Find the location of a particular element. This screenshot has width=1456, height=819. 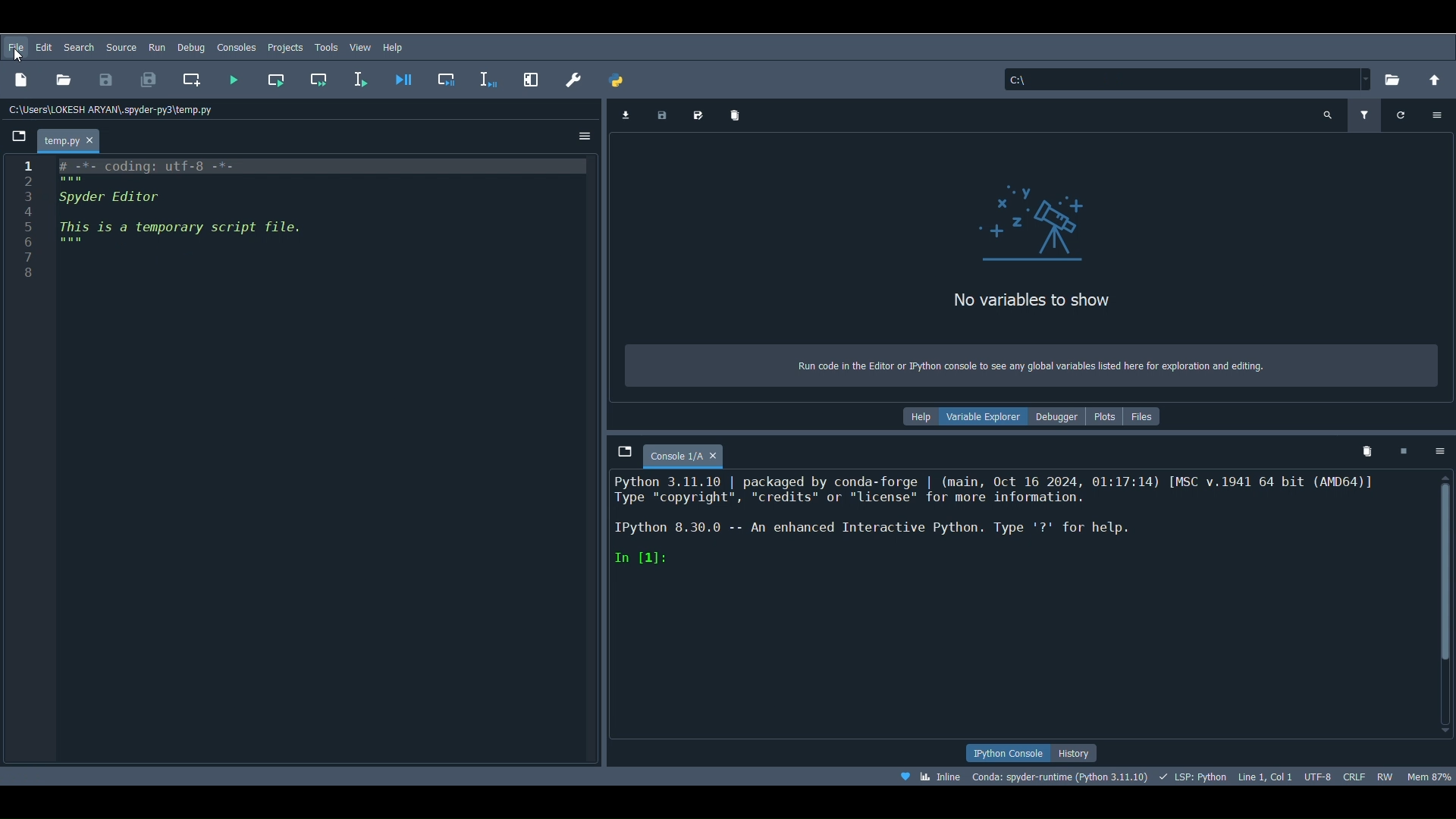

Run current cell and go to the next one (Shift + Return) is located at coordinates (318, 76).